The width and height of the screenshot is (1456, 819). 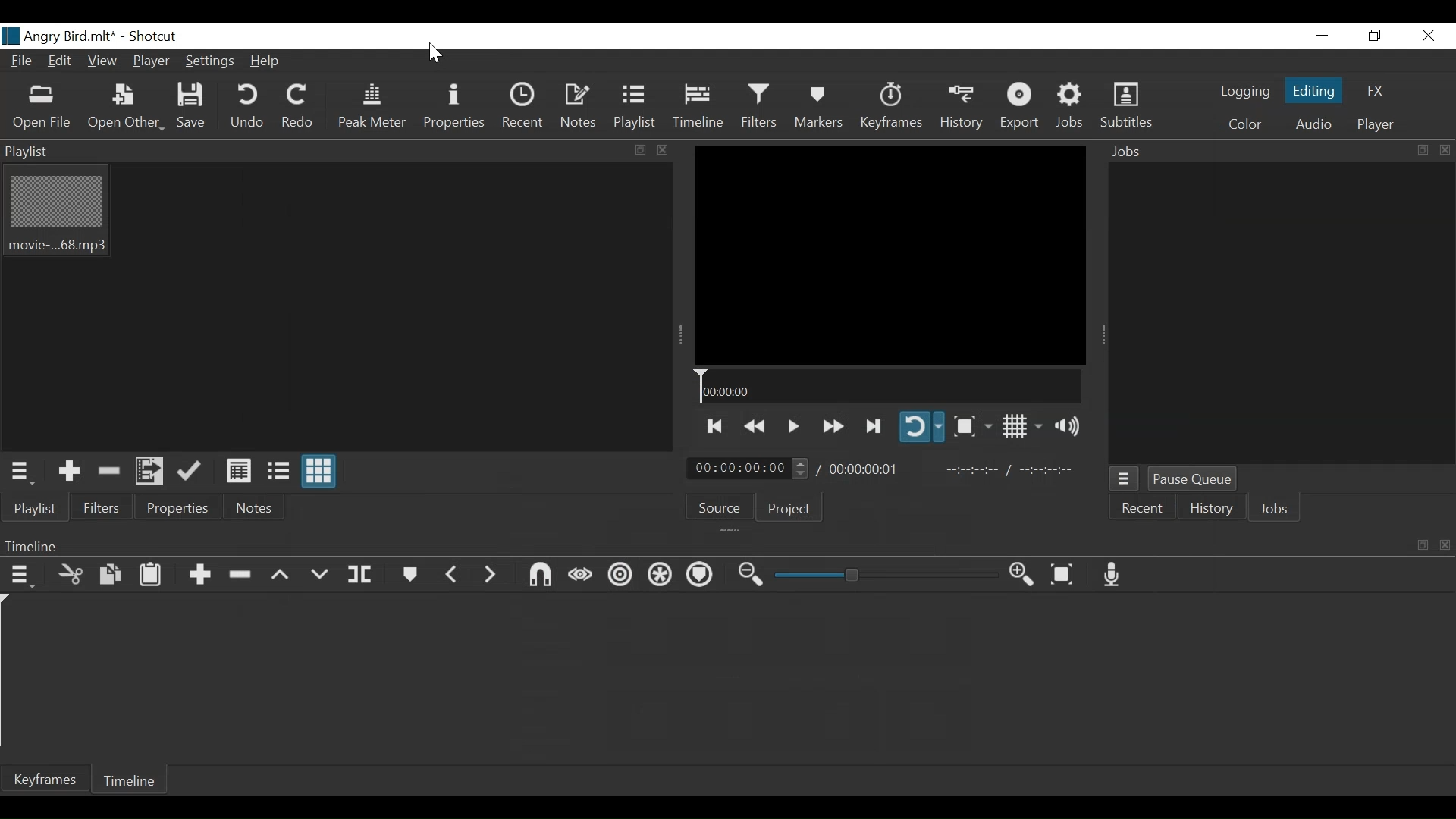 What do you see at coordinates (1125, 479) in the screenshot?
I see `Jobs menu` at bounding box center [1125, 479].